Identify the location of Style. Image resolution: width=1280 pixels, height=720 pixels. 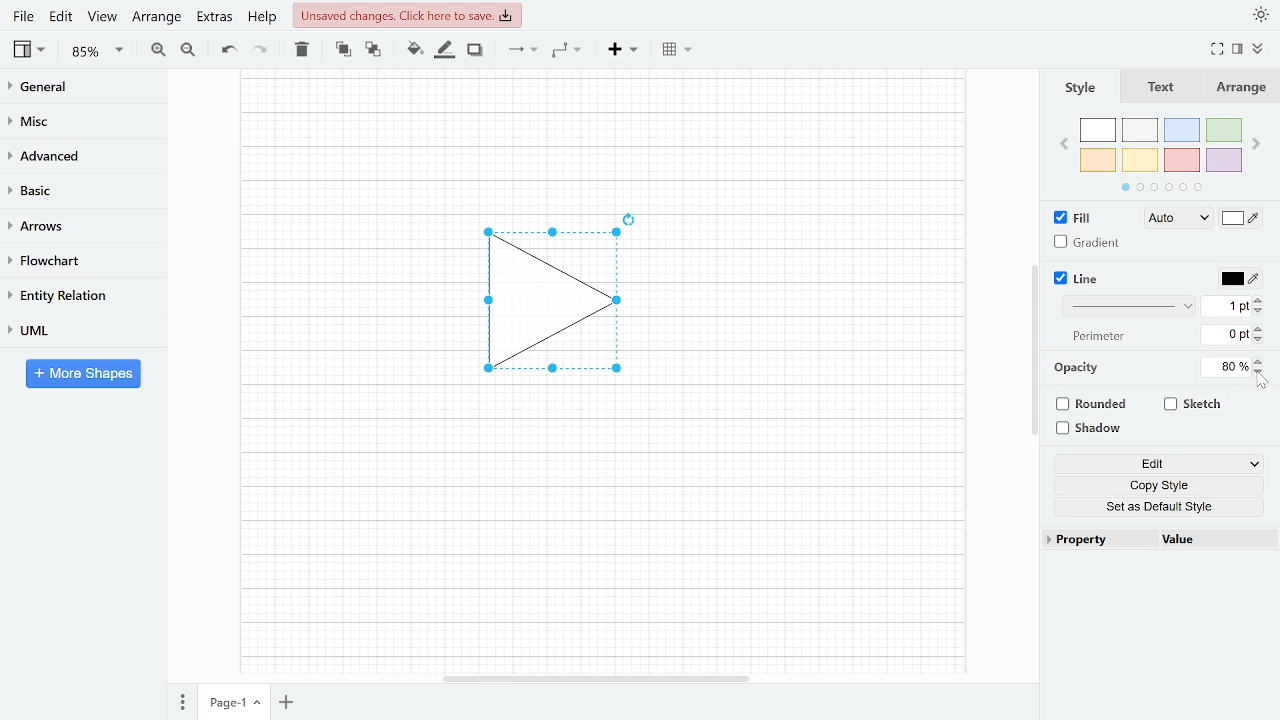
(1078, 87).